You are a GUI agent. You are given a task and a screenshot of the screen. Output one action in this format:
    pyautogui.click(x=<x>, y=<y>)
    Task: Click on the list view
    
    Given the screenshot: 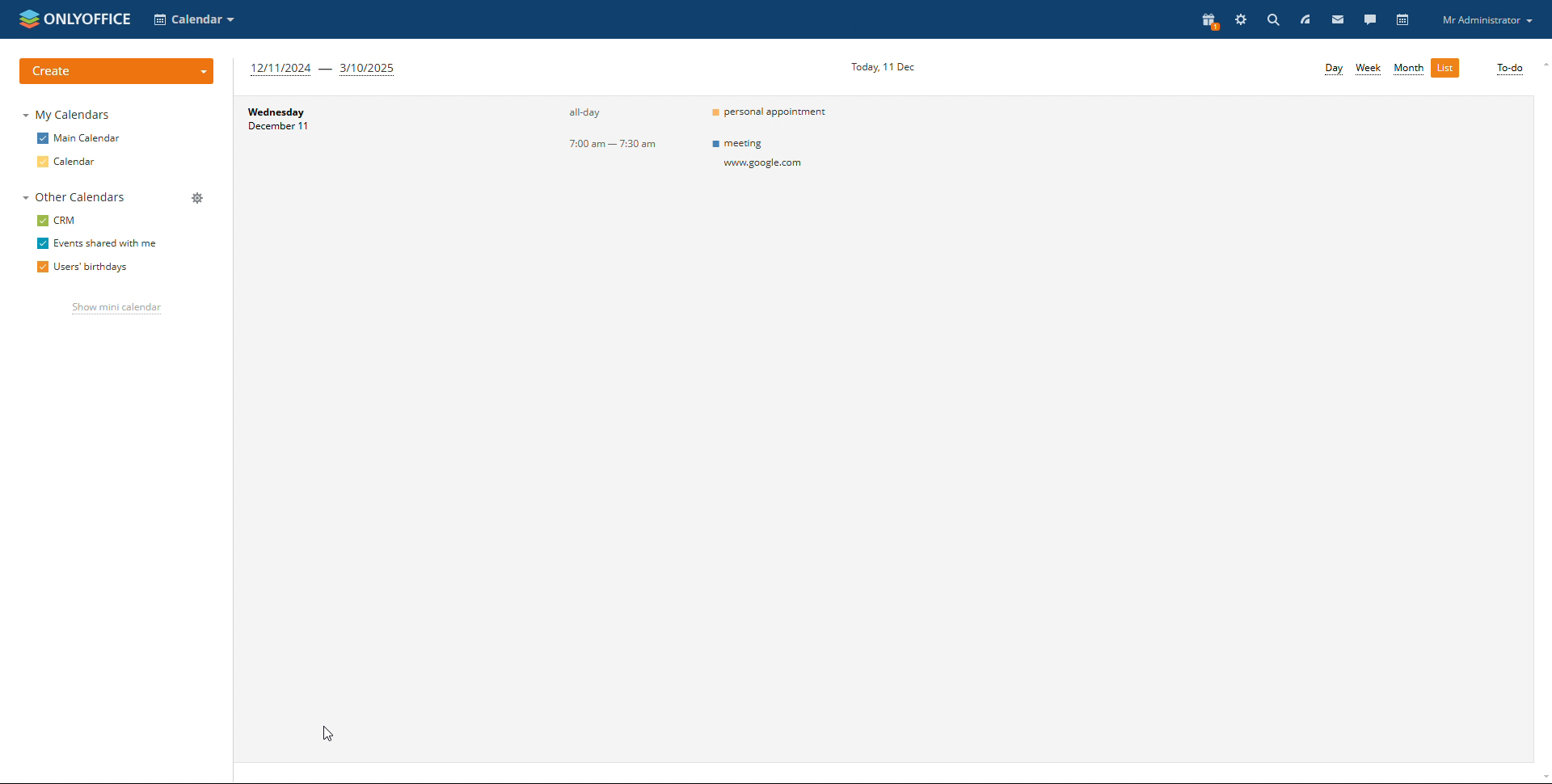 What is the action you would take?
    pyautogui.click(x=1444, y=68)
    